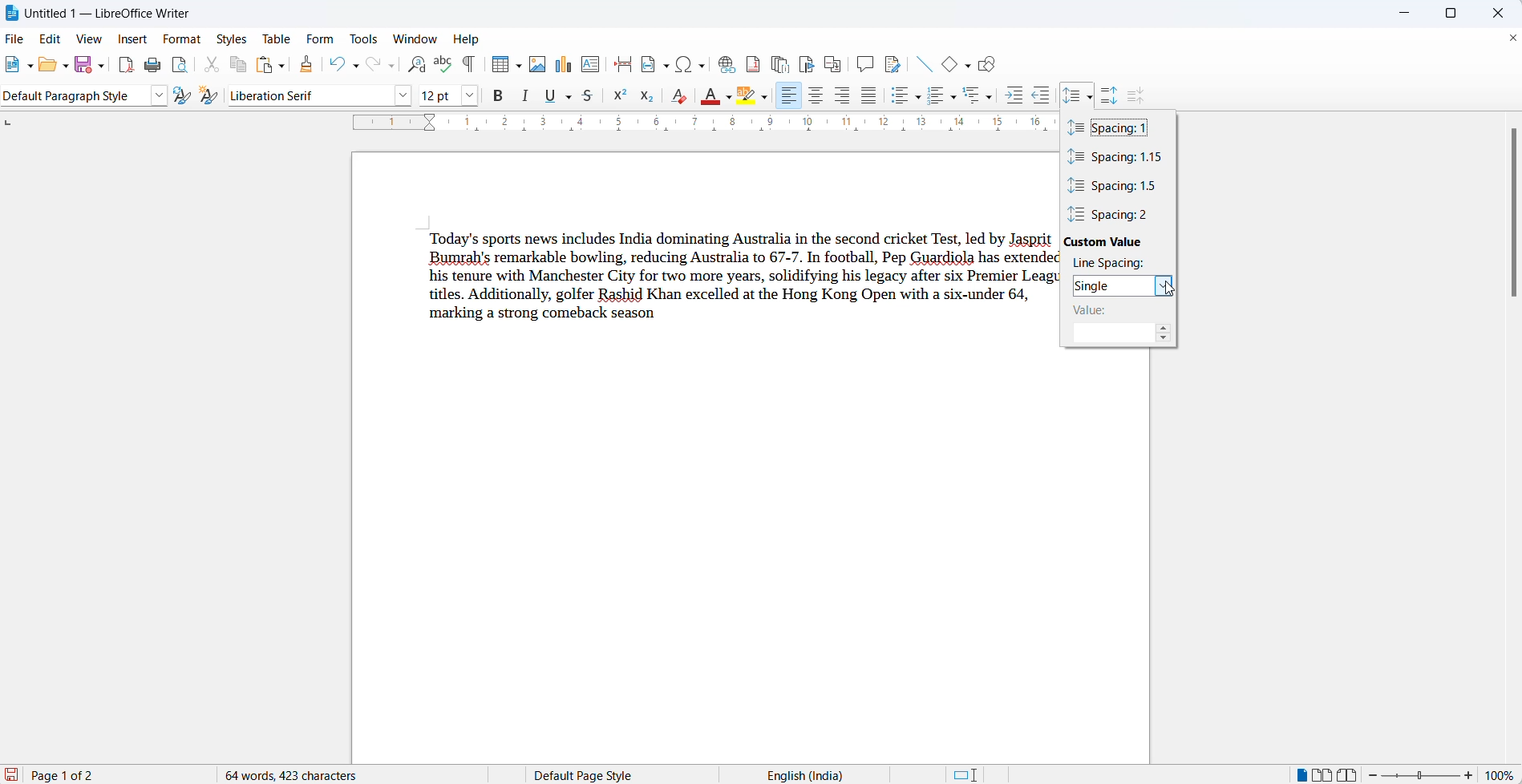 The height and width of the screenshot is (784, 1522). What do you see at coordinates (700, 125) in the screenshot?
I see `scaling` at bounding box center [700, 125].